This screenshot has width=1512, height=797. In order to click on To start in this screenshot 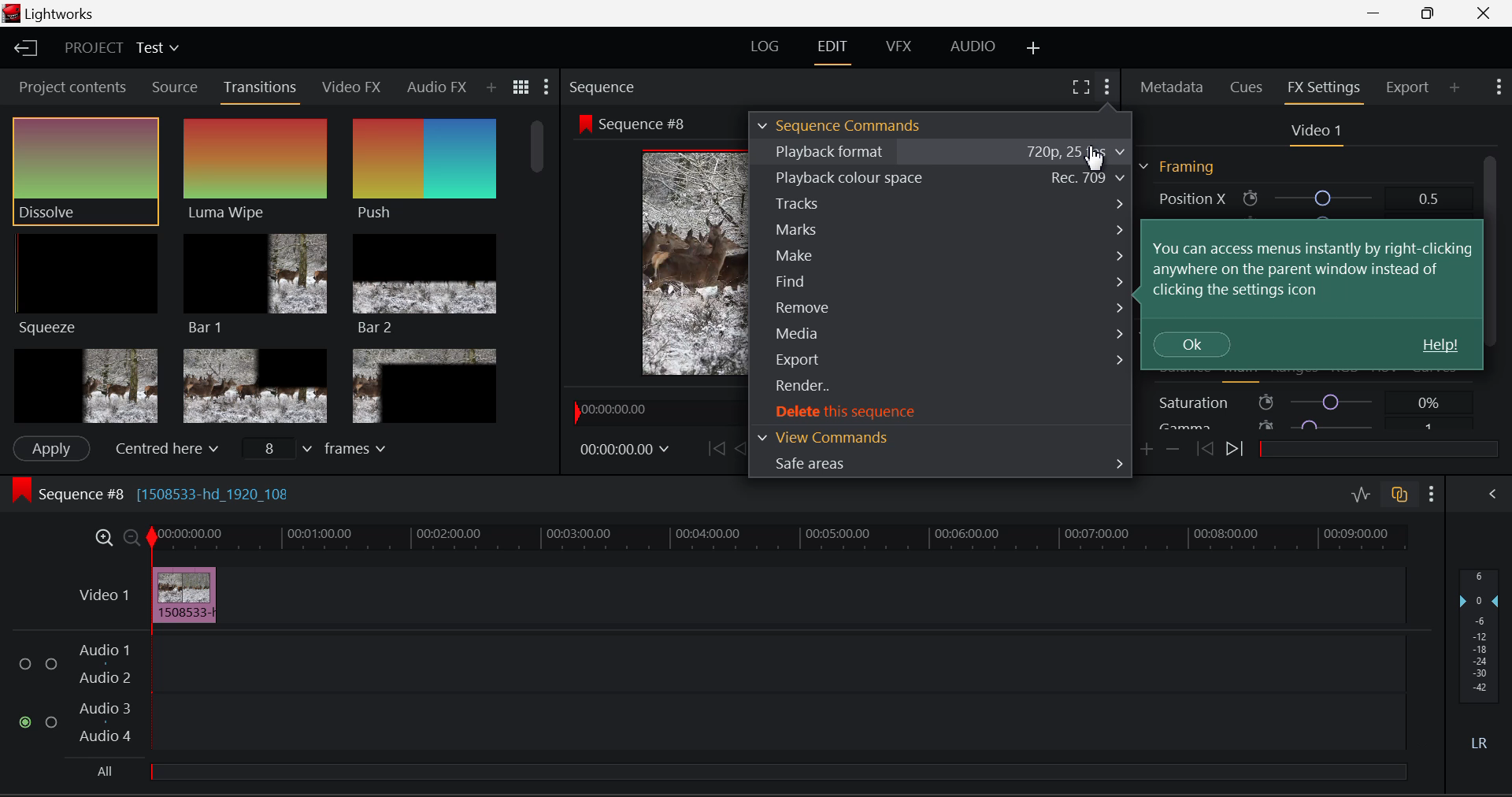, I will do `click(713, 449)`.